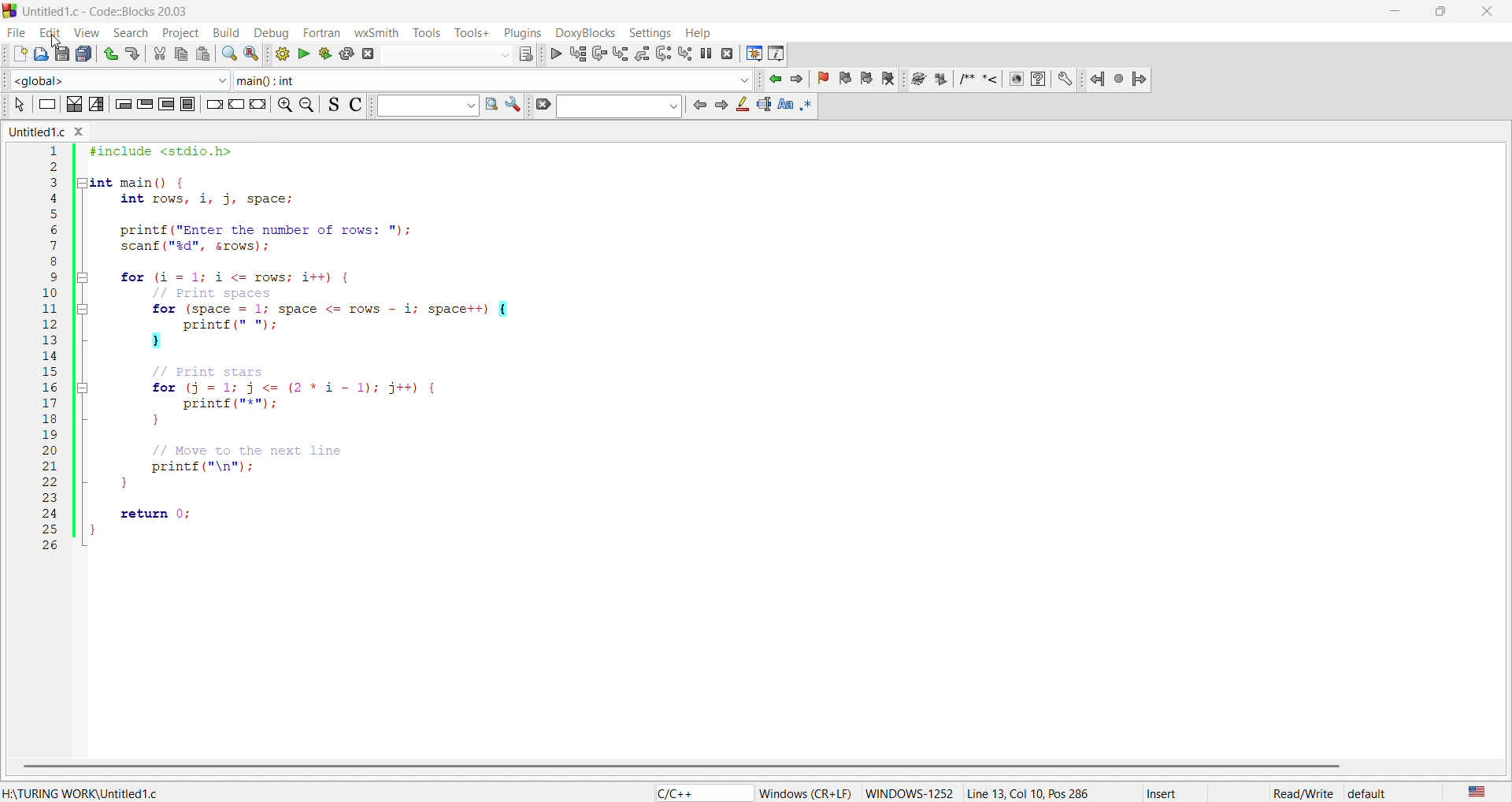 The width and height of the screenshot is (1512, 802). Describe the element at coordinates (57, 133) in the screenshot. I see `untitled.c window name` at that location.